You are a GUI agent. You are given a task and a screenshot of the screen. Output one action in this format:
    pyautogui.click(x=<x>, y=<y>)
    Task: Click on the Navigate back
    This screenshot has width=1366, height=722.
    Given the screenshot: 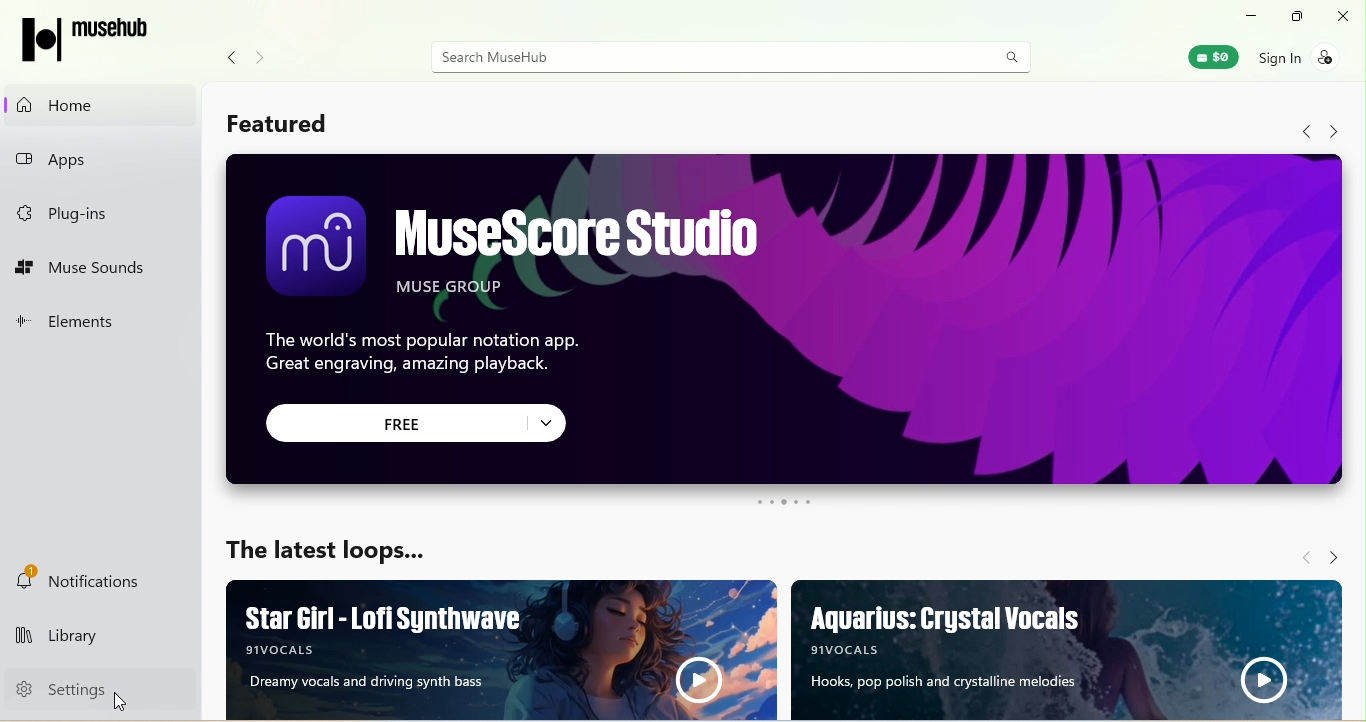 What is the action you would take?
    pyautogui.click(x=226, y=61)
    